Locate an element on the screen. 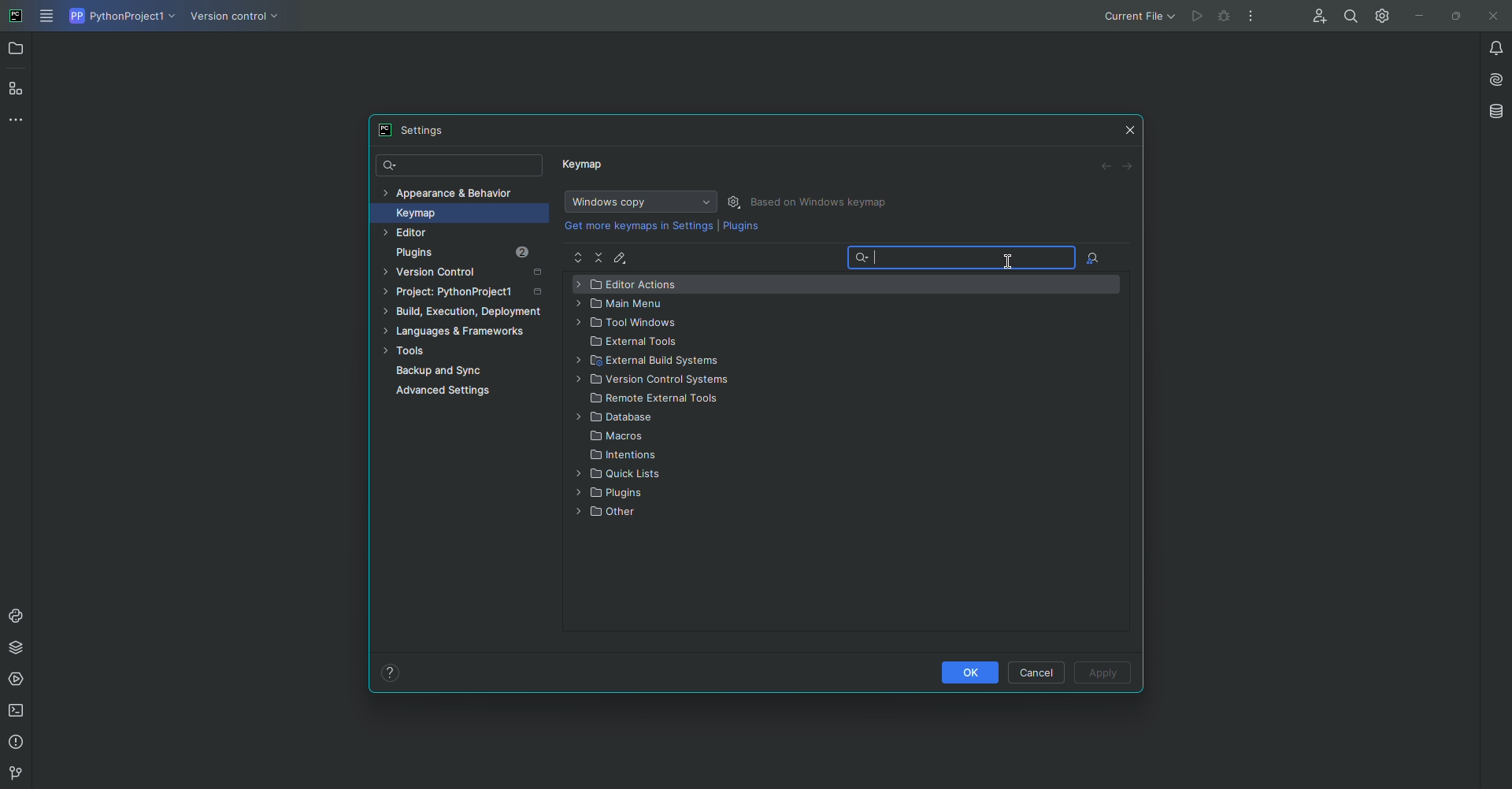 The height and width of the screenshot is (789, 1512). Intentions is located at coordinates (625, 457).